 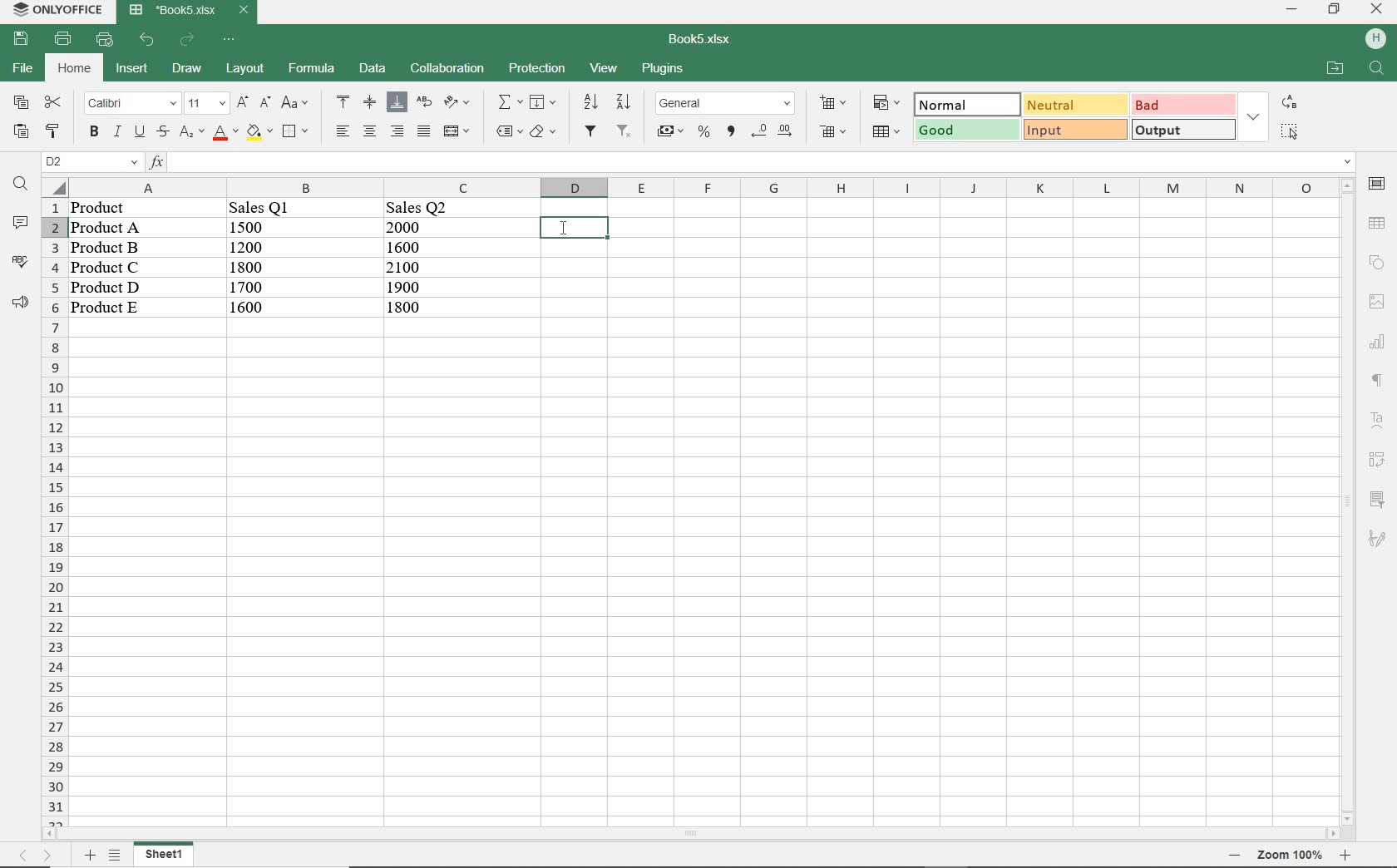 What do you see at coordinates (227, 40) in the screenshot?
I see `customize quick access toolbar` at bounding box center [227, 40].